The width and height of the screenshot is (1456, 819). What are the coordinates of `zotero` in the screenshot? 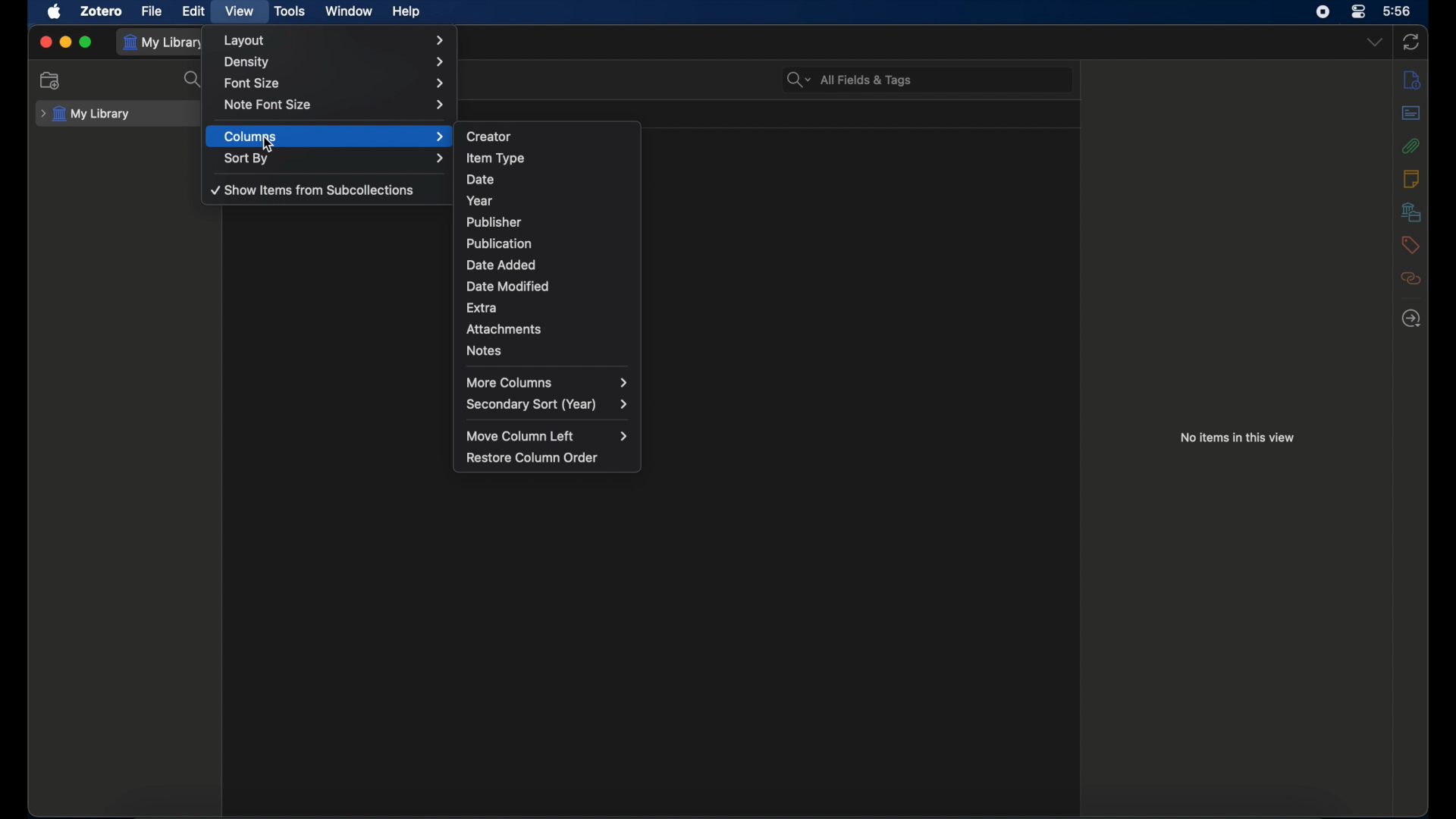 It's located at (102, 11).